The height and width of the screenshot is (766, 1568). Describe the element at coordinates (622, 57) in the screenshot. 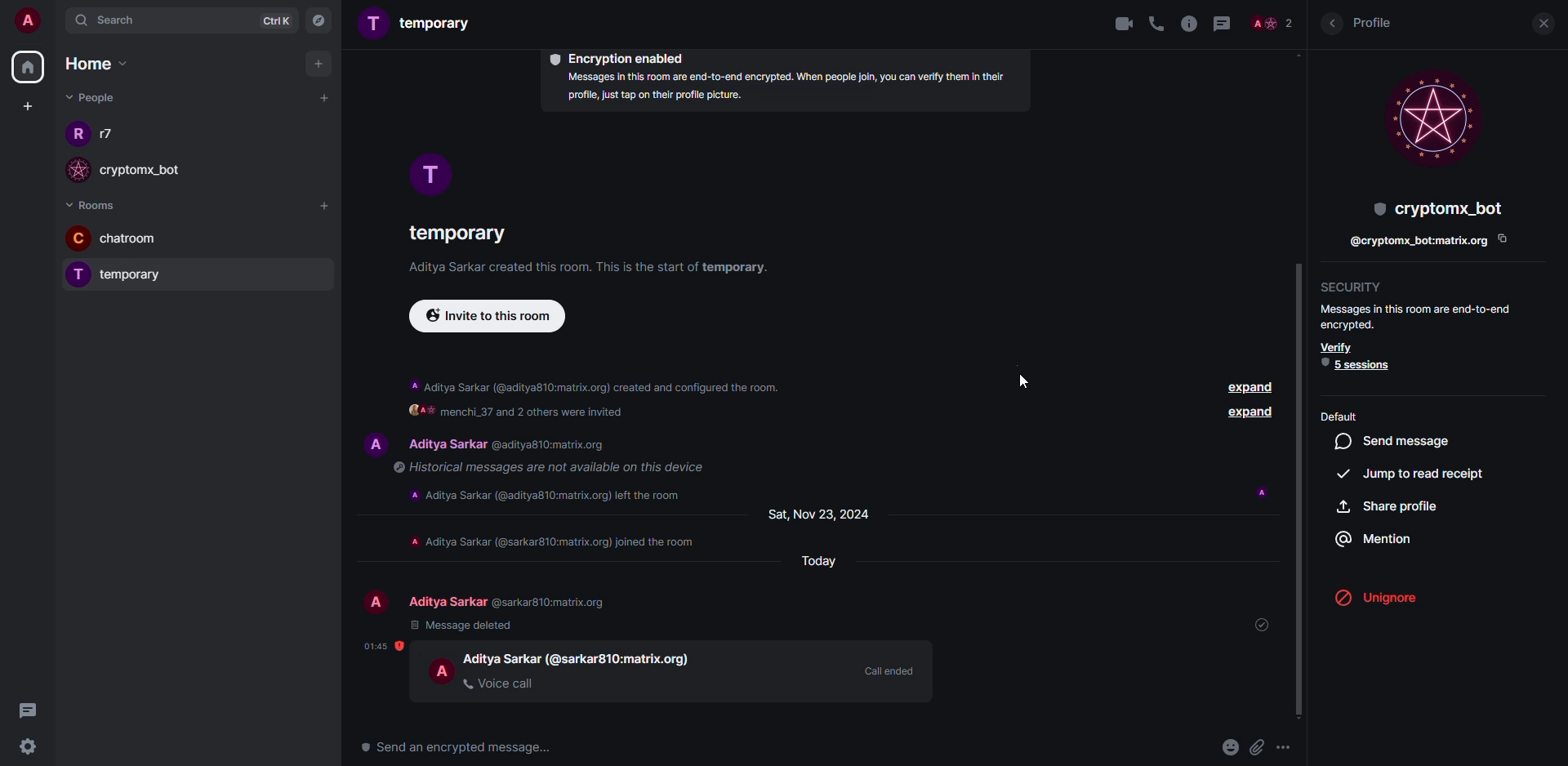

I see `encryption enabled` at that location.